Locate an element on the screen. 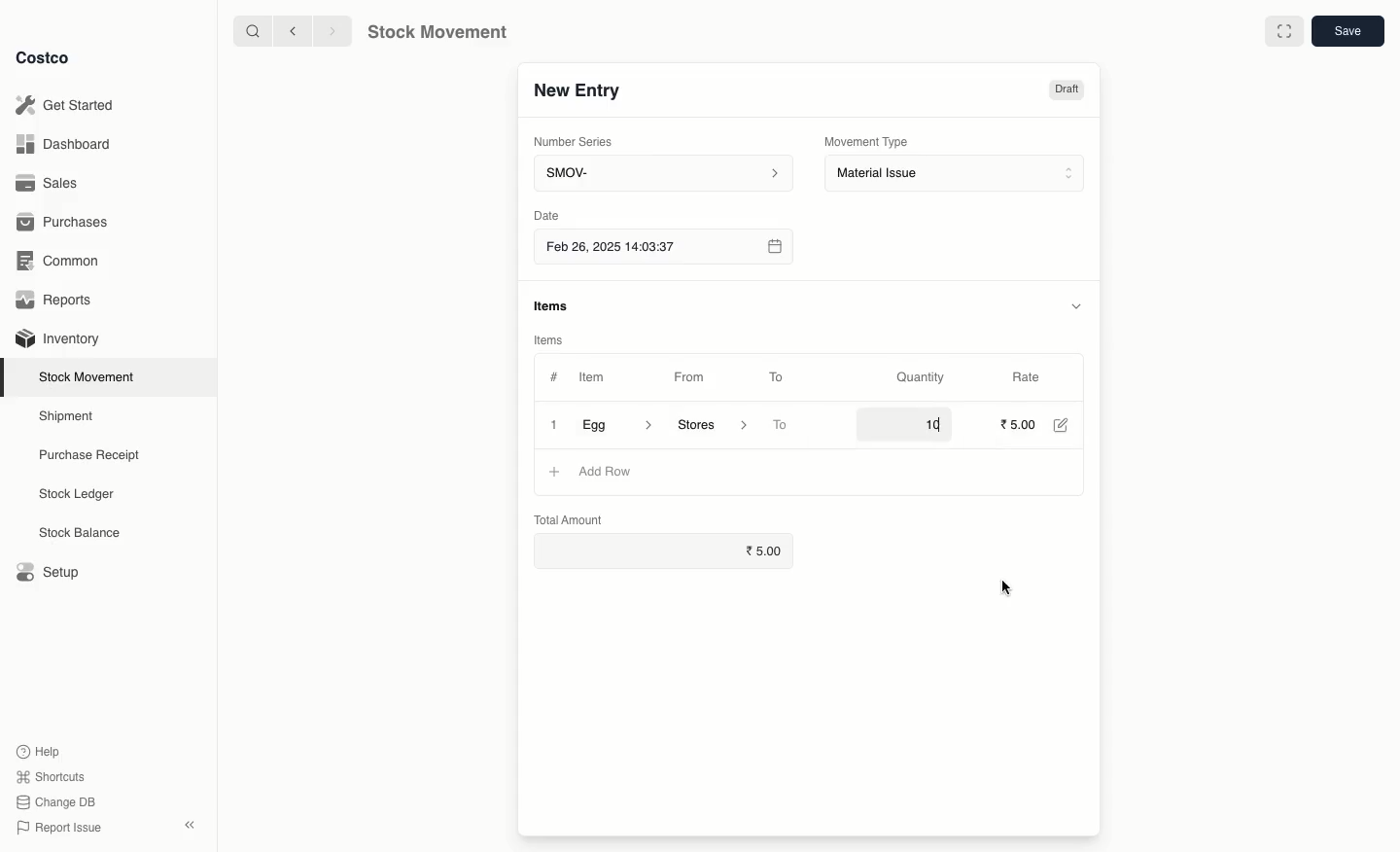 Image resolution: width=1400 pixels, height=852 pixels. collapse is located at coordinates (189, 824).